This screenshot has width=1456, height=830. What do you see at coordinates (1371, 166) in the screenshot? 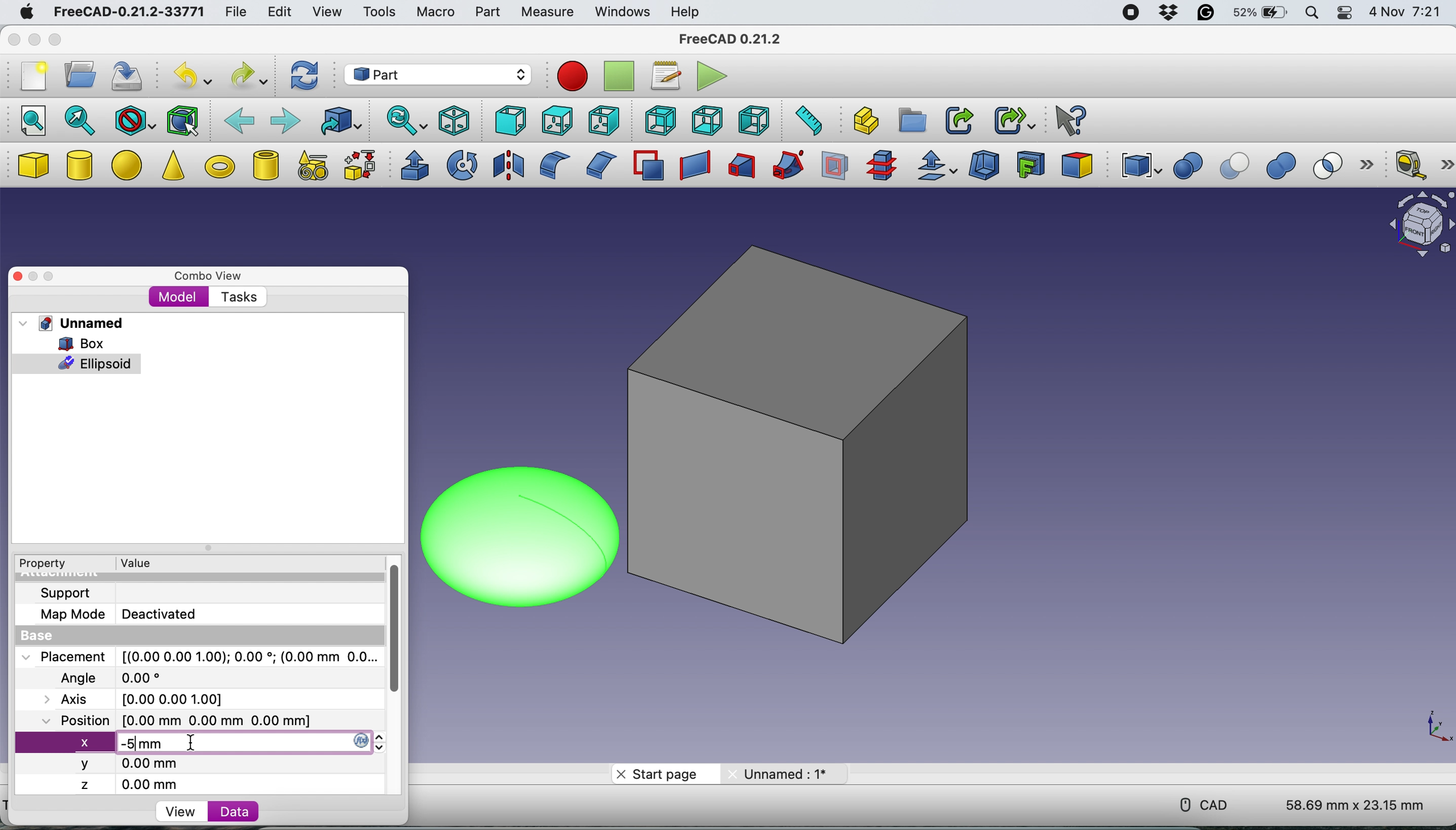
I see `more options` at bounding box center [1371, 166].